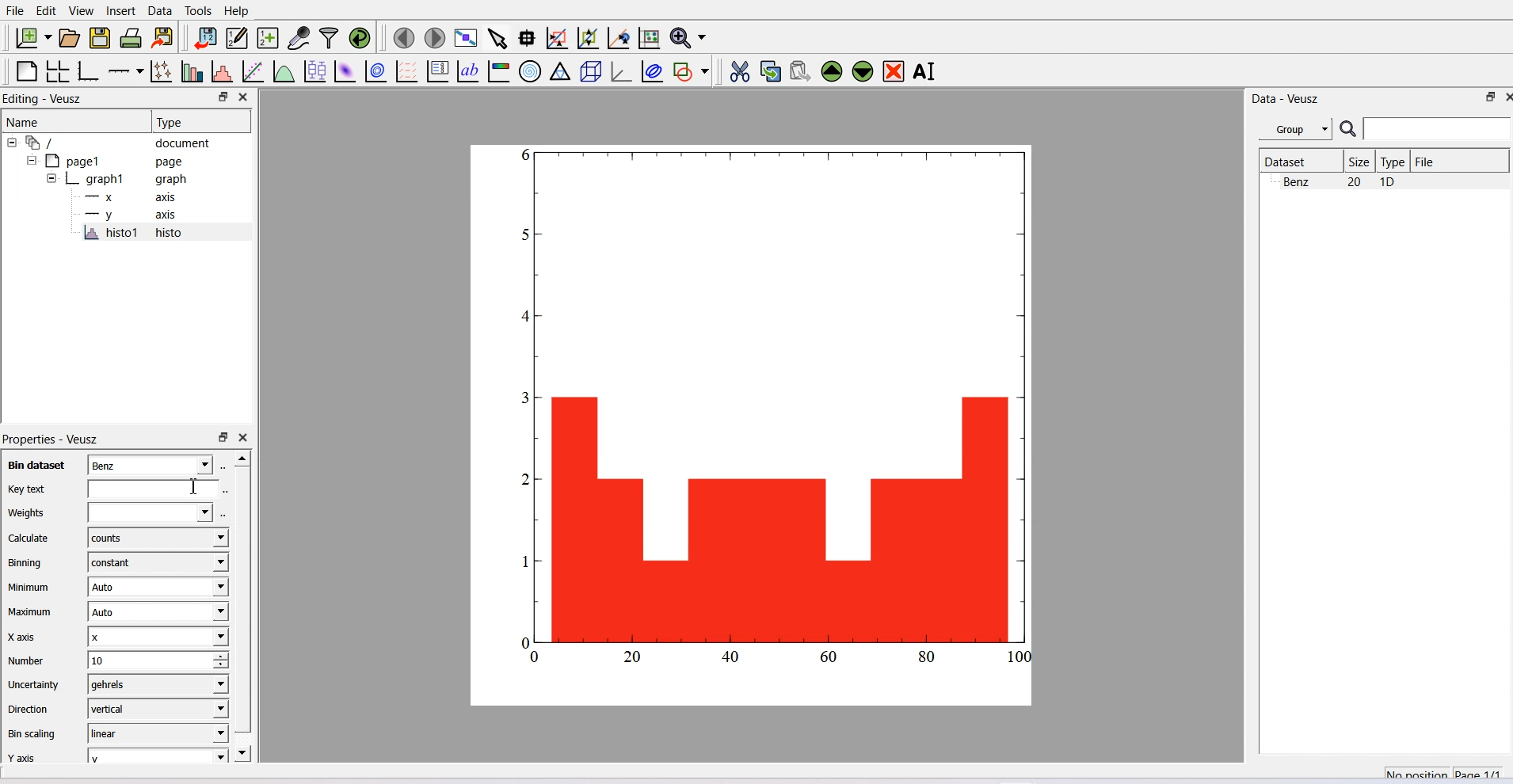 This screenshot has width=1513, height=784. Describe the element at coordinates (436, 38) in the screenshot. I see `Move to the next page` at that location.